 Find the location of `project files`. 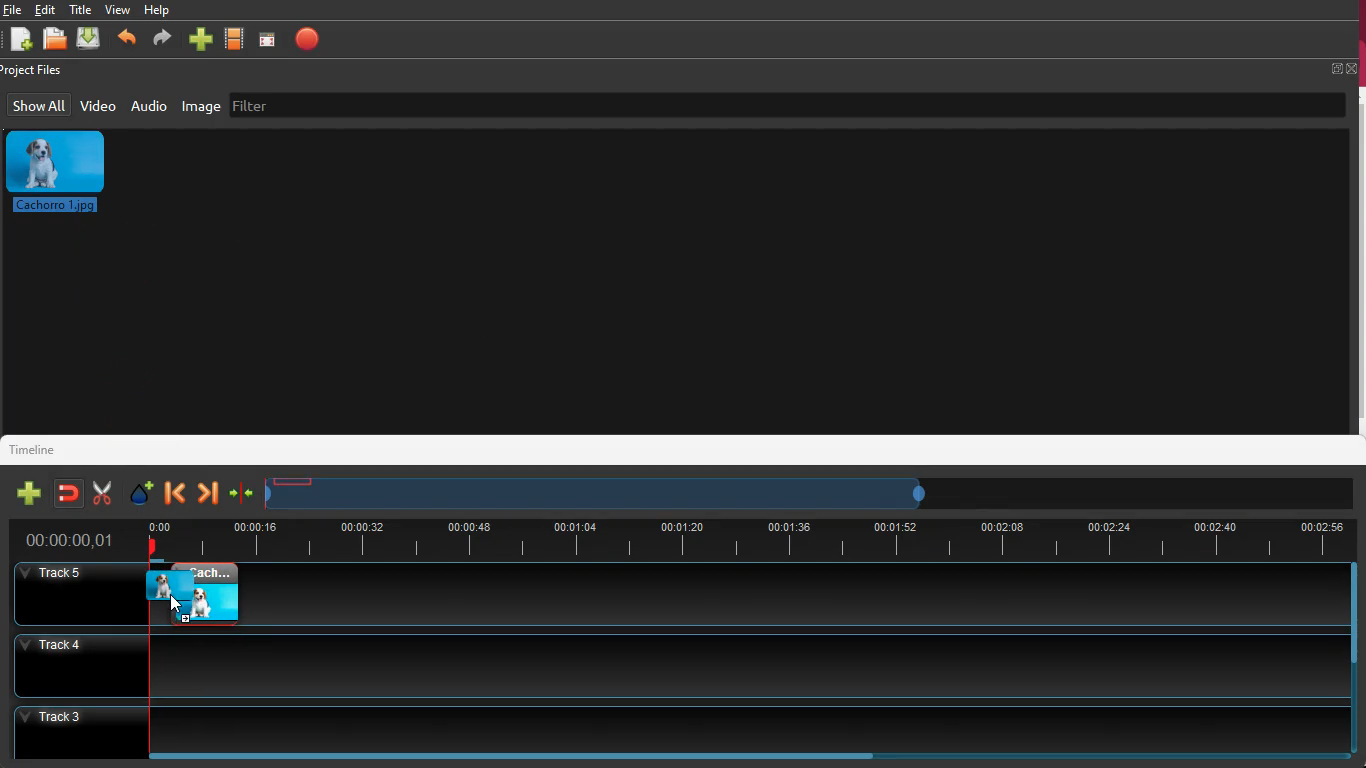

project files is located at coordinates (36, 71).